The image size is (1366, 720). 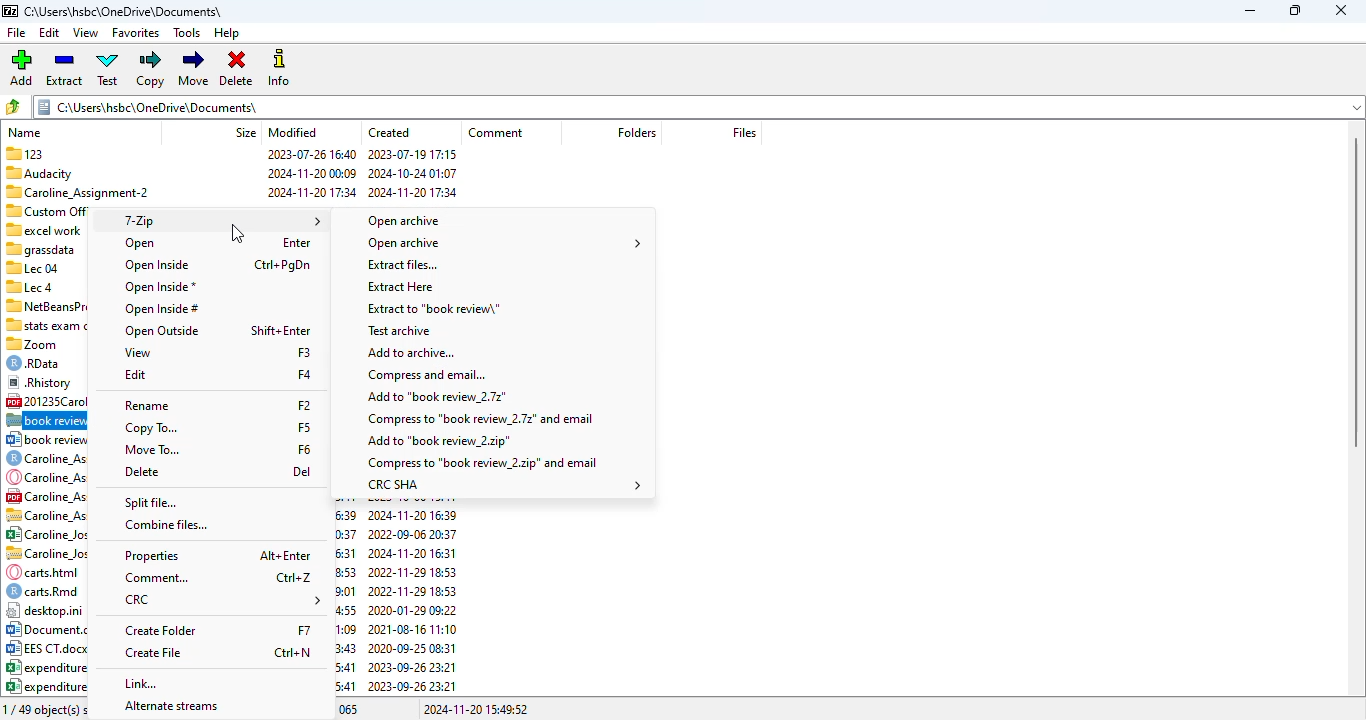 I want to click on comment, so click(x=157, y=579).